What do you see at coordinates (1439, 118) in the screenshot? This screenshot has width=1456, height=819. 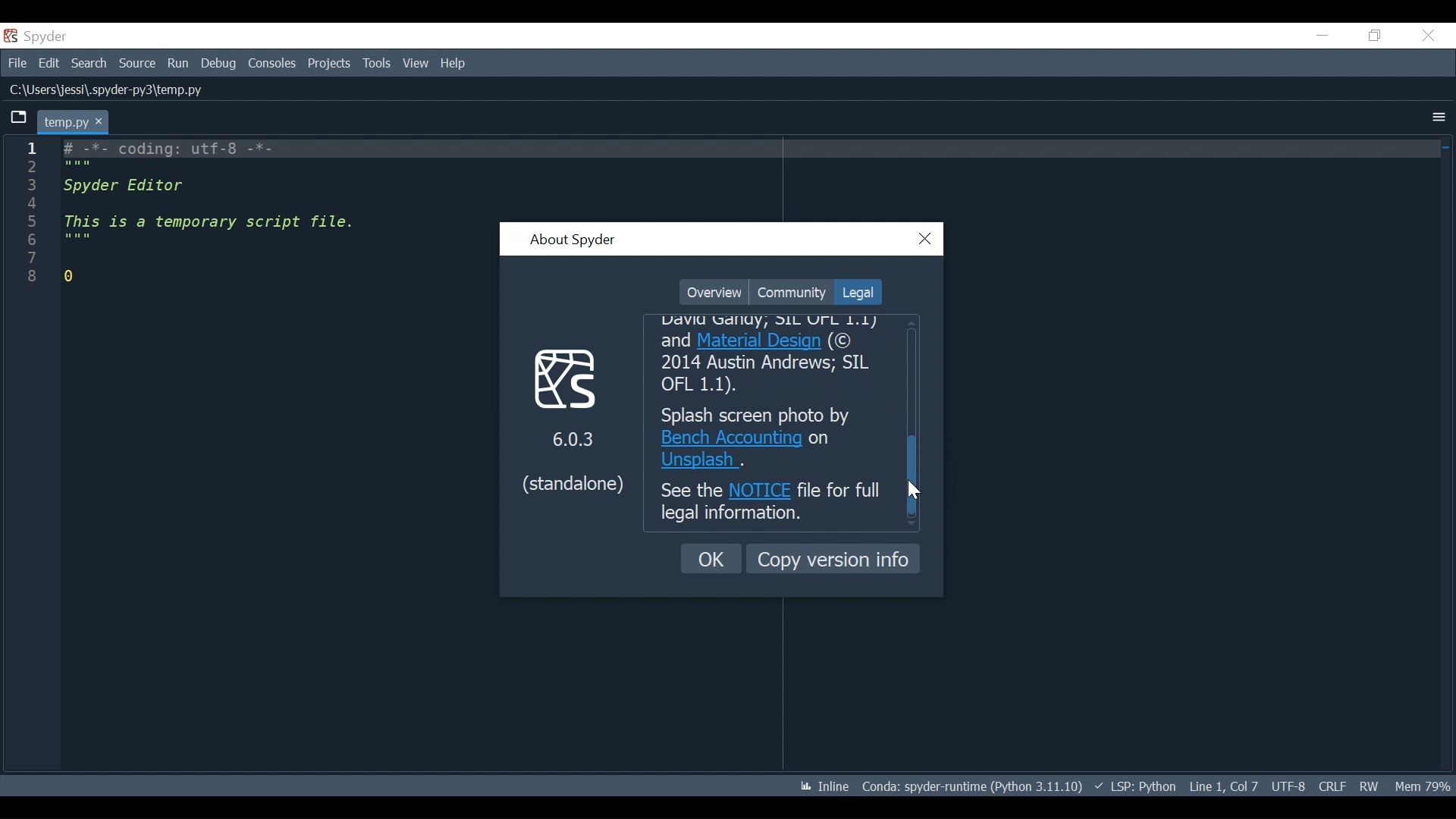 I see `More Options` at bounding box center [1439, 118].